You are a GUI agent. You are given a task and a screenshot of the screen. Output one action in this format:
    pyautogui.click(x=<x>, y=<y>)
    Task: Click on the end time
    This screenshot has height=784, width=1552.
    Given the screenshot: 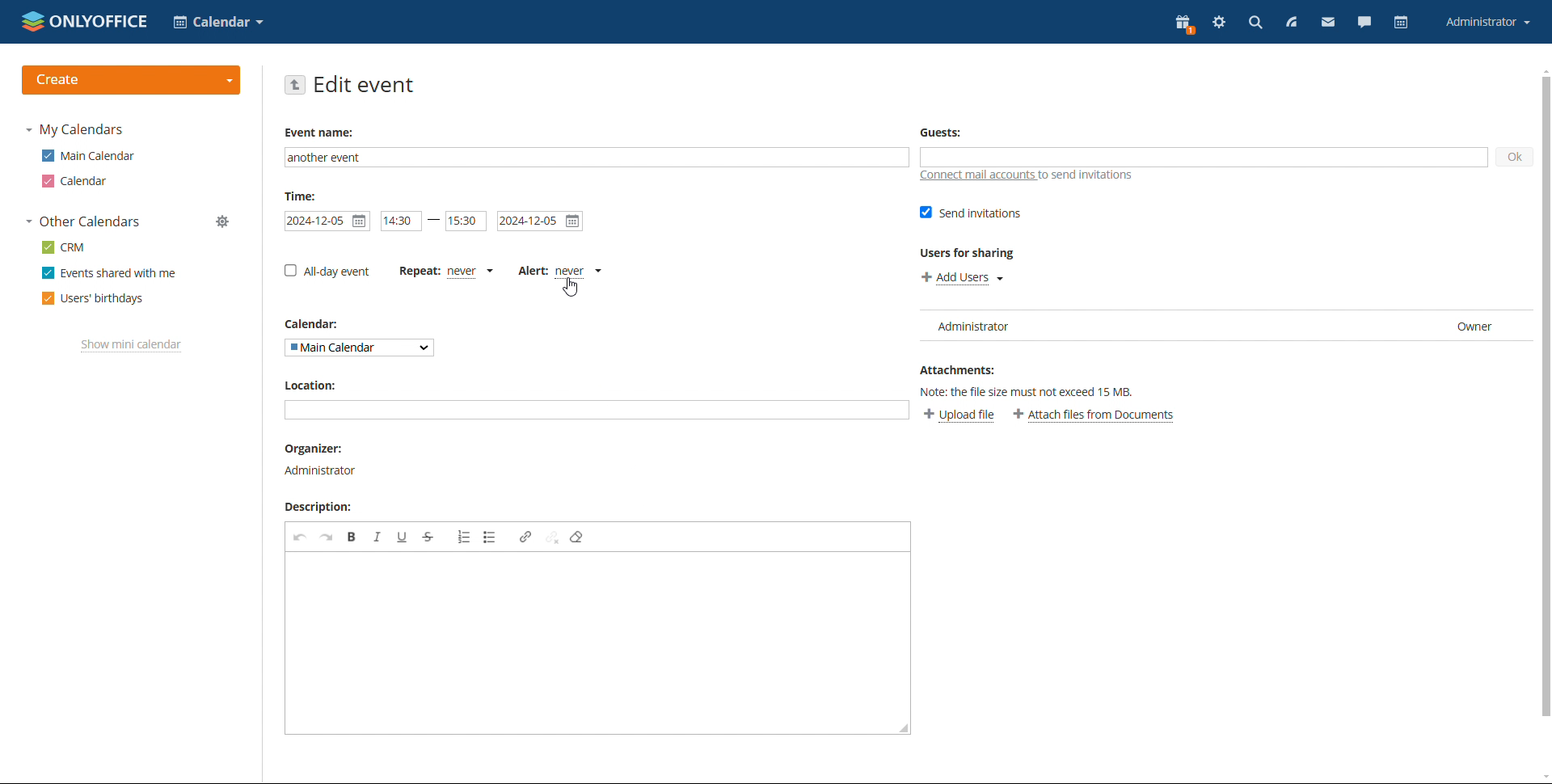 What is the action you would take?
    pyautogui.click(x=466, y=221)
    